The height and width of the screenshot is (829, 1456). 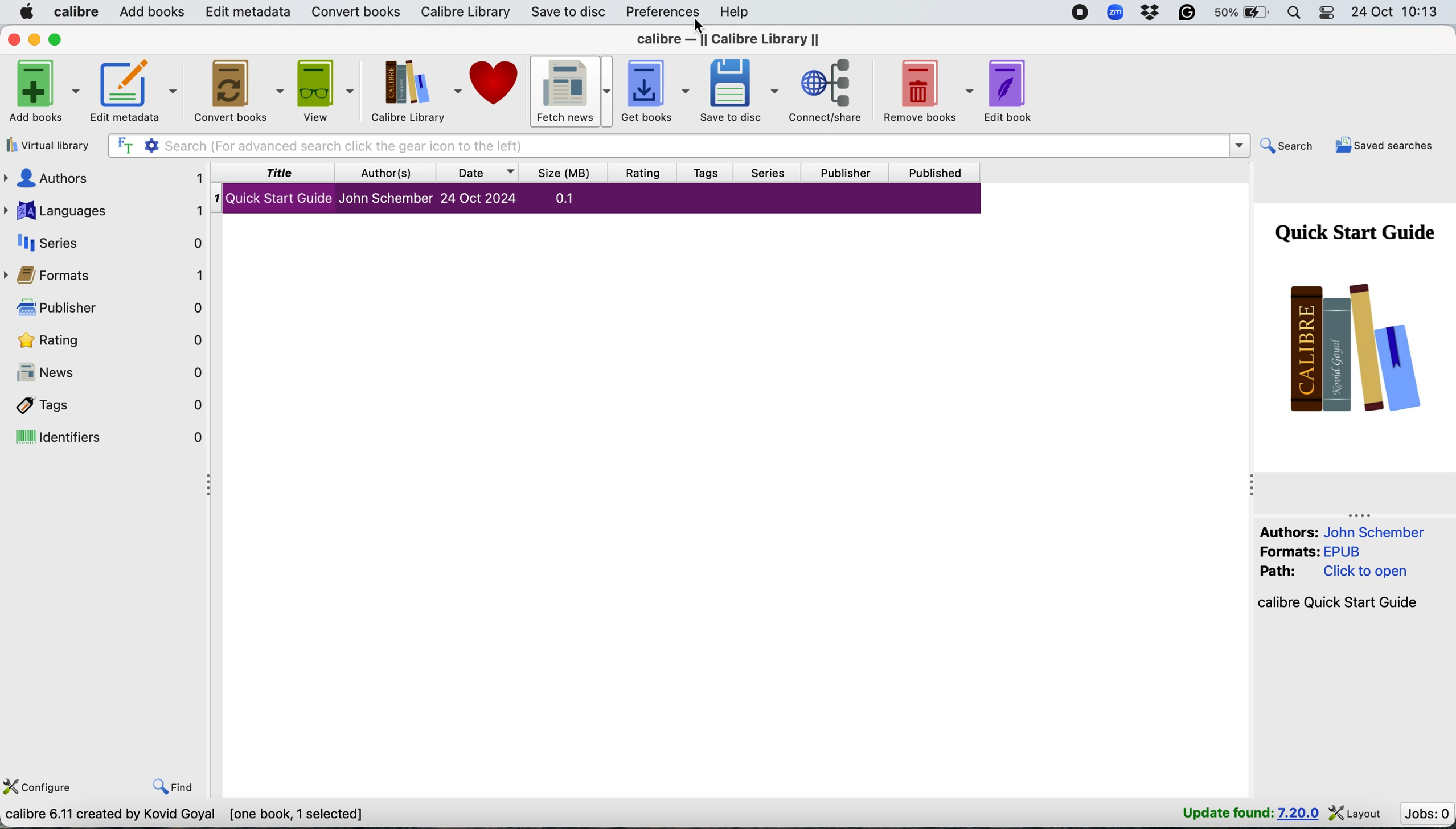 I want to click on close, so click(x=12, y=40).